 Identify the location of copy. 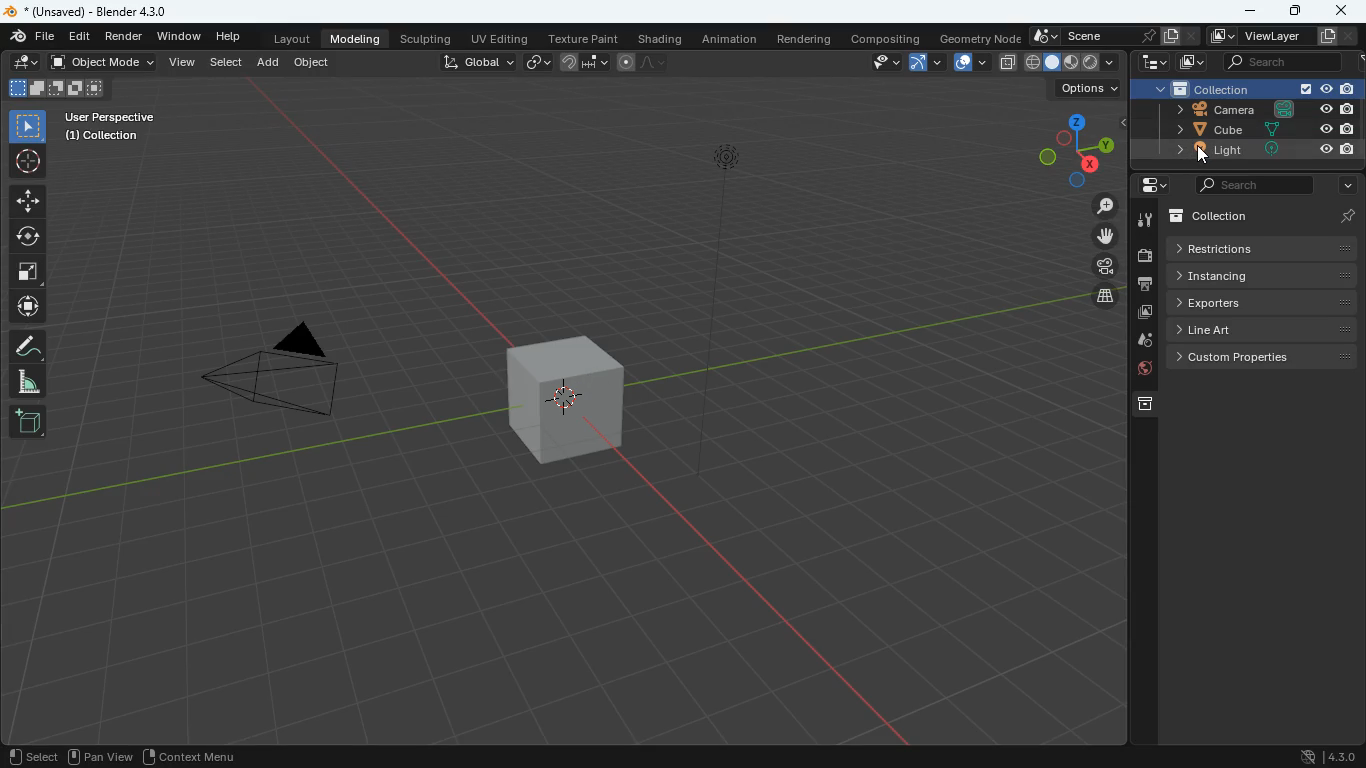
(1007, 63).